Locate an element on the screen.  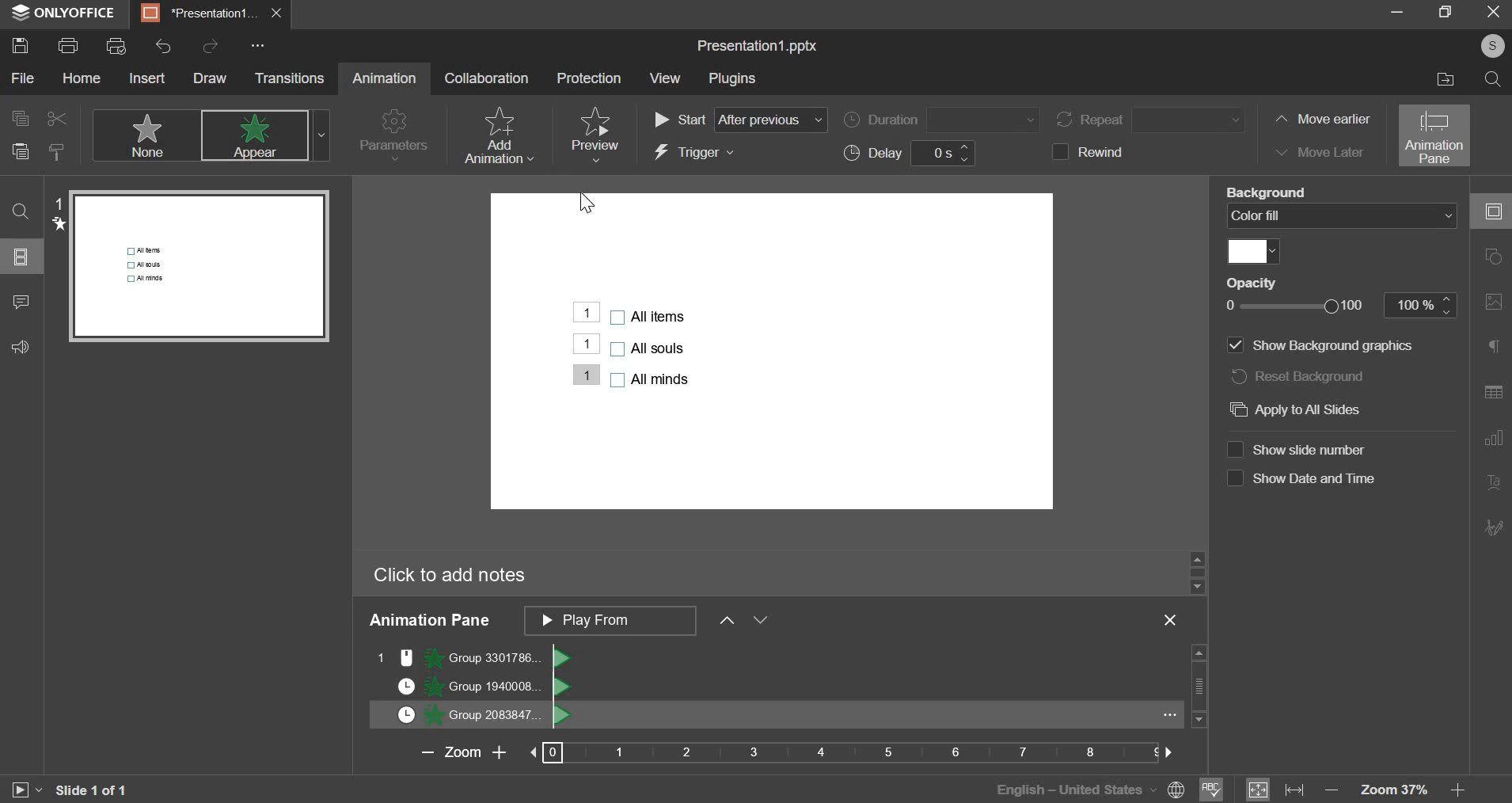
1 is located at coordinates (586, 375).